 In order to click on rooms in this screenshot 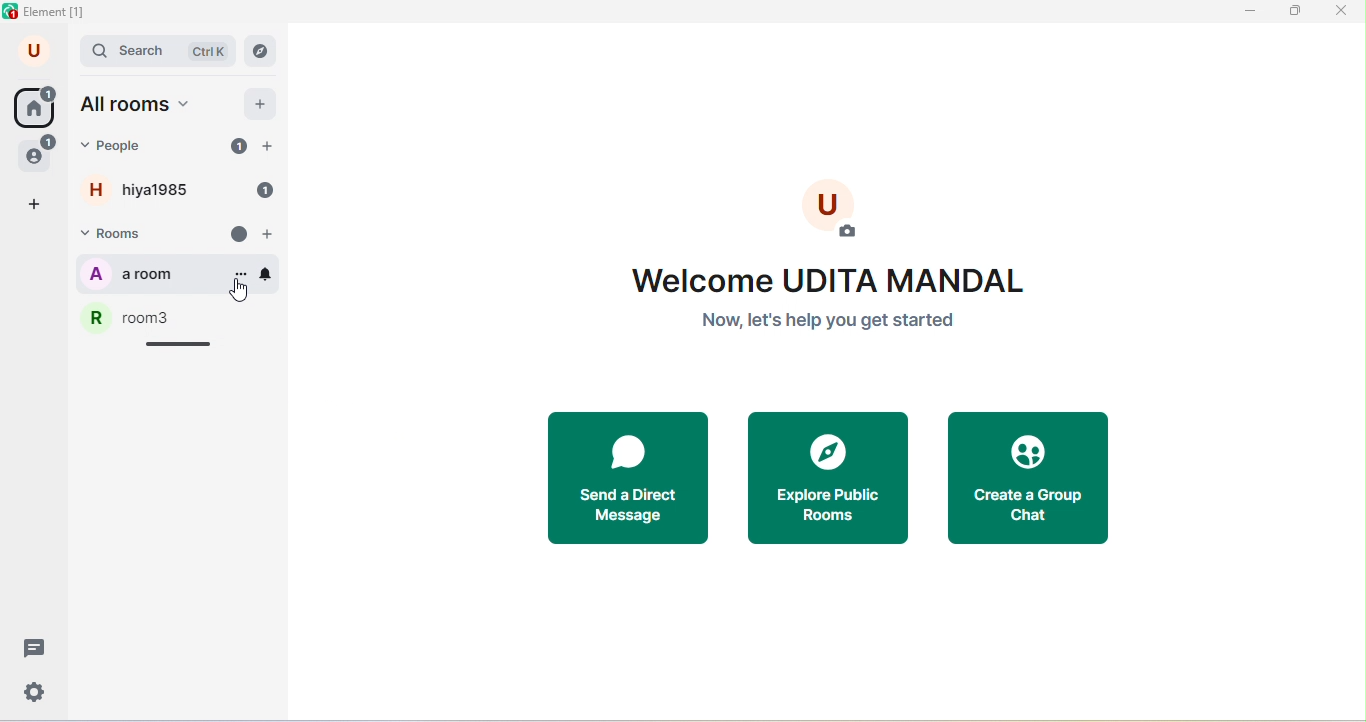, I will do `click(125, 235)`.